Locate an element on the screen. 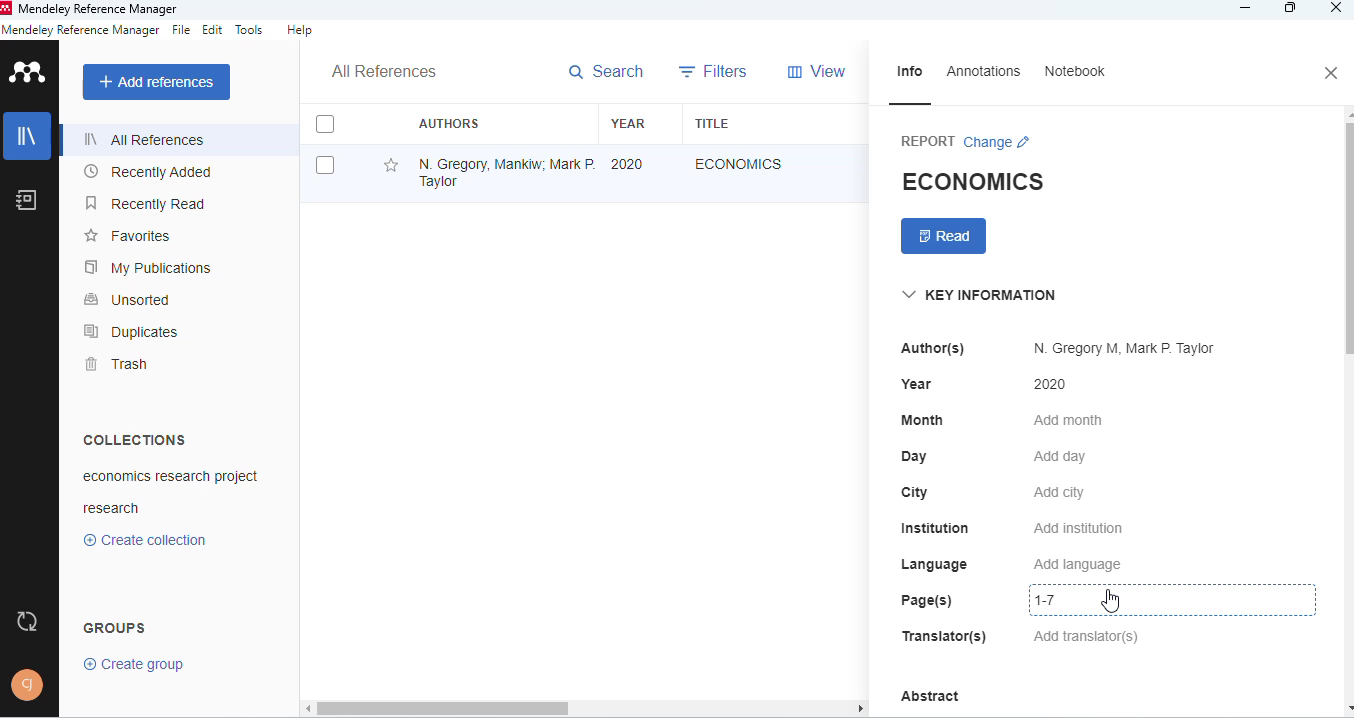 The width and height of the screenshot is (1354, 718). maximize is located at coordinates (1291, 9).